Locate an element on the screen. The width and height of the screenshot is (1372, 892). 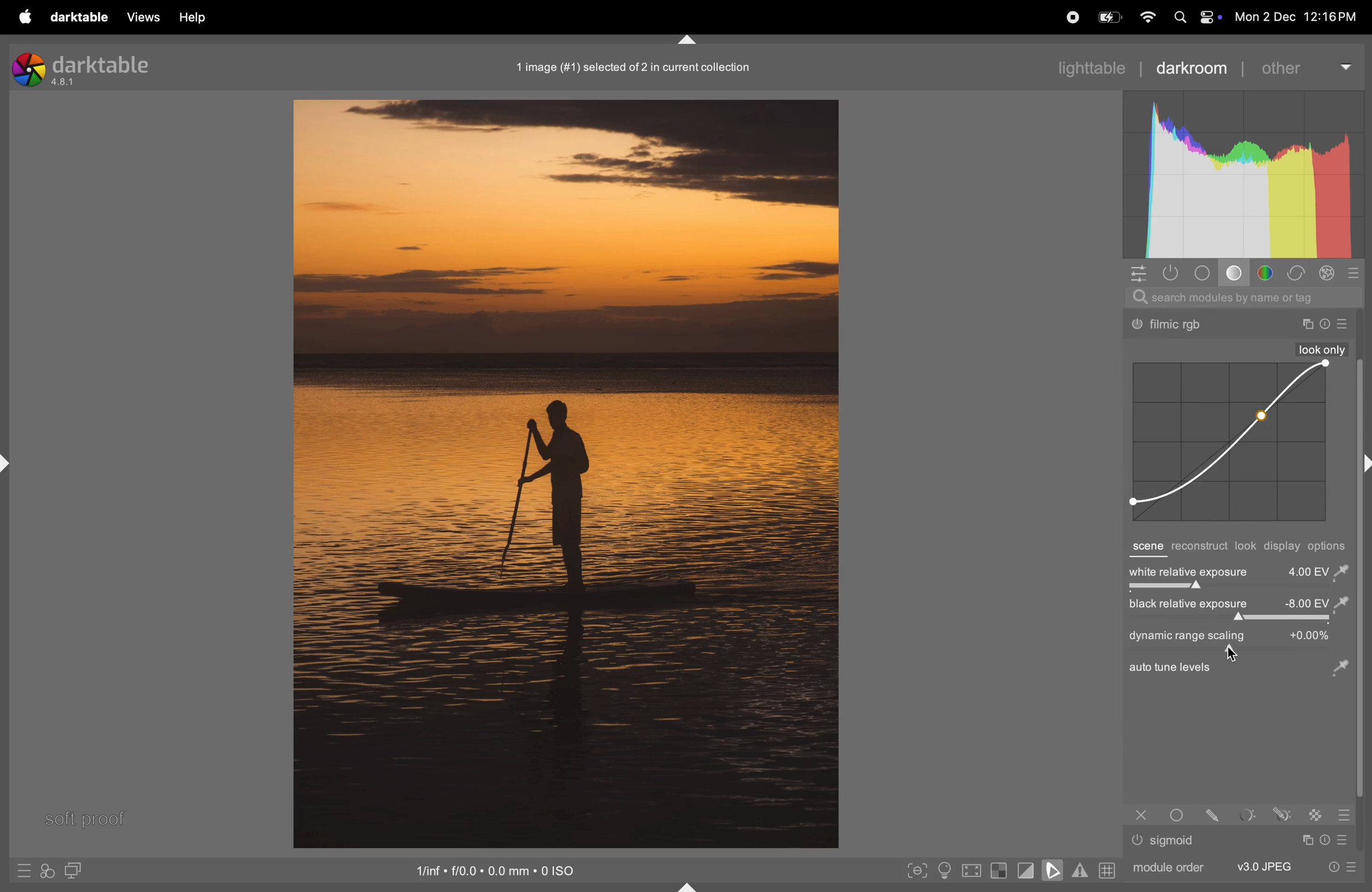
toggle bar is located at coordinates (1236, 589).